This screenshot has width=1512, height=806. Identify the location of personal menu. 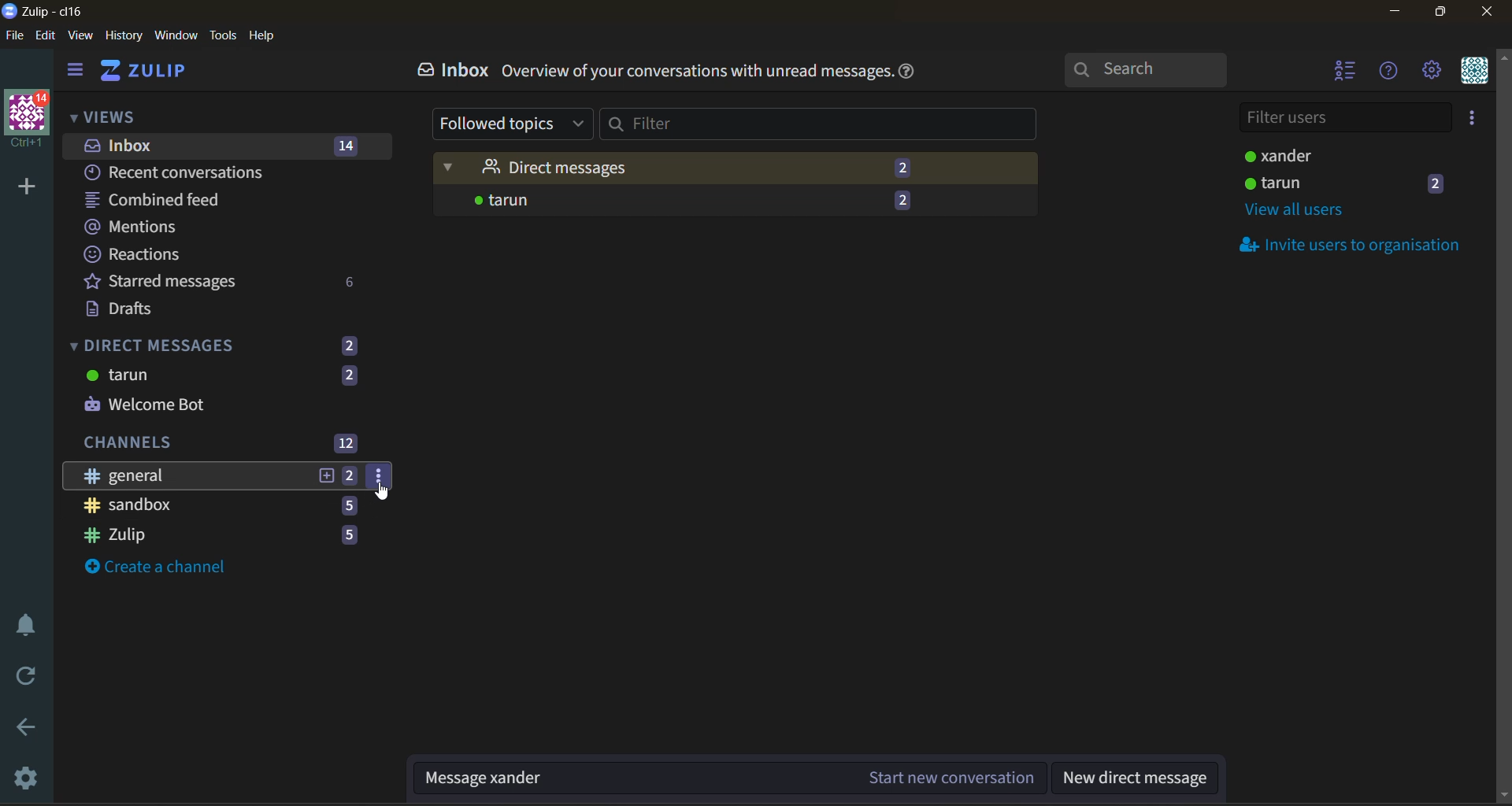
(1473, 73).